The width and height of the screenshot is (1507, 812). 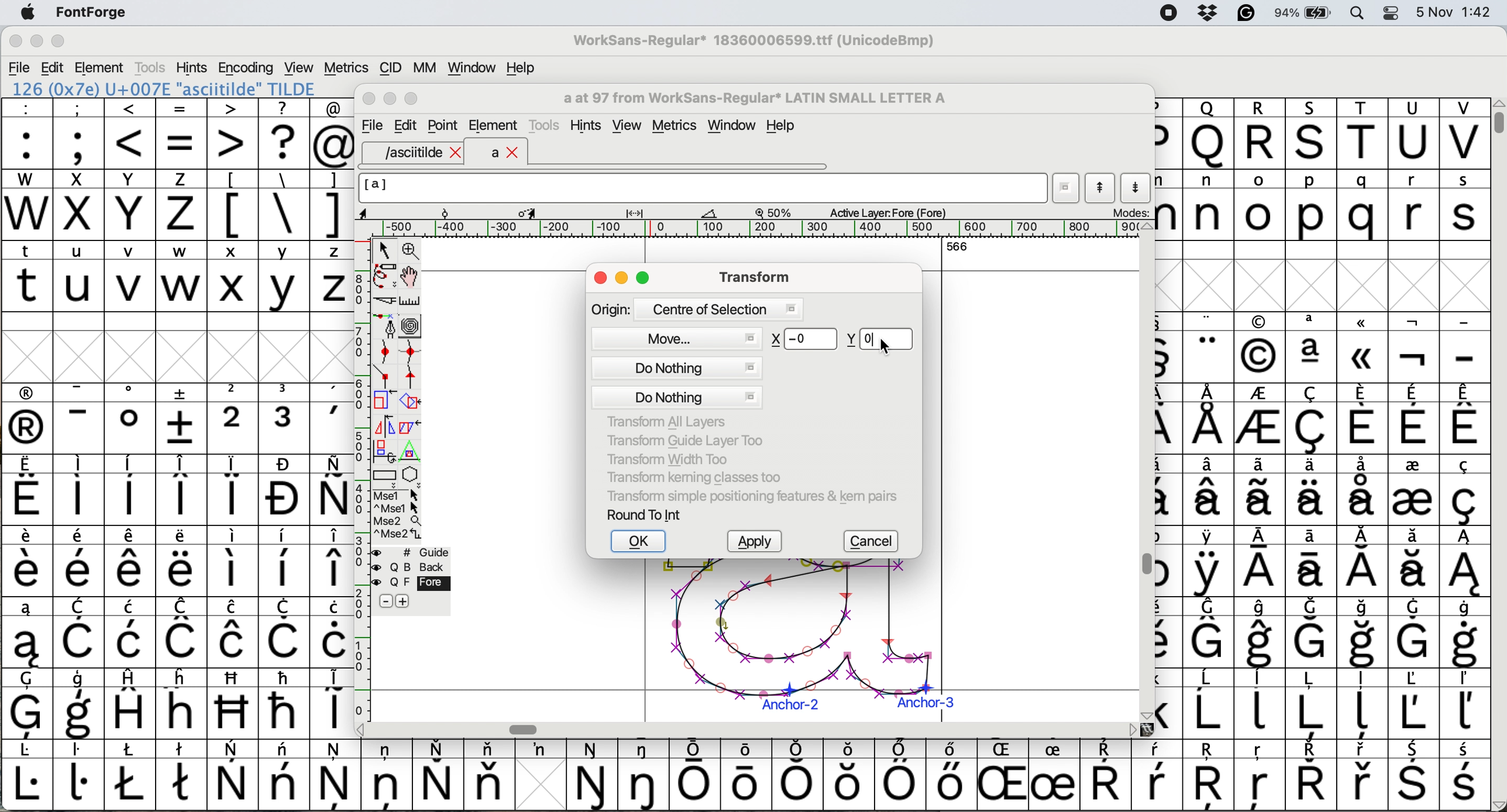 What do you see at coordinates (1364, 776) in the screenshot?
I see `symbol` at bounding box center [1364, 776].